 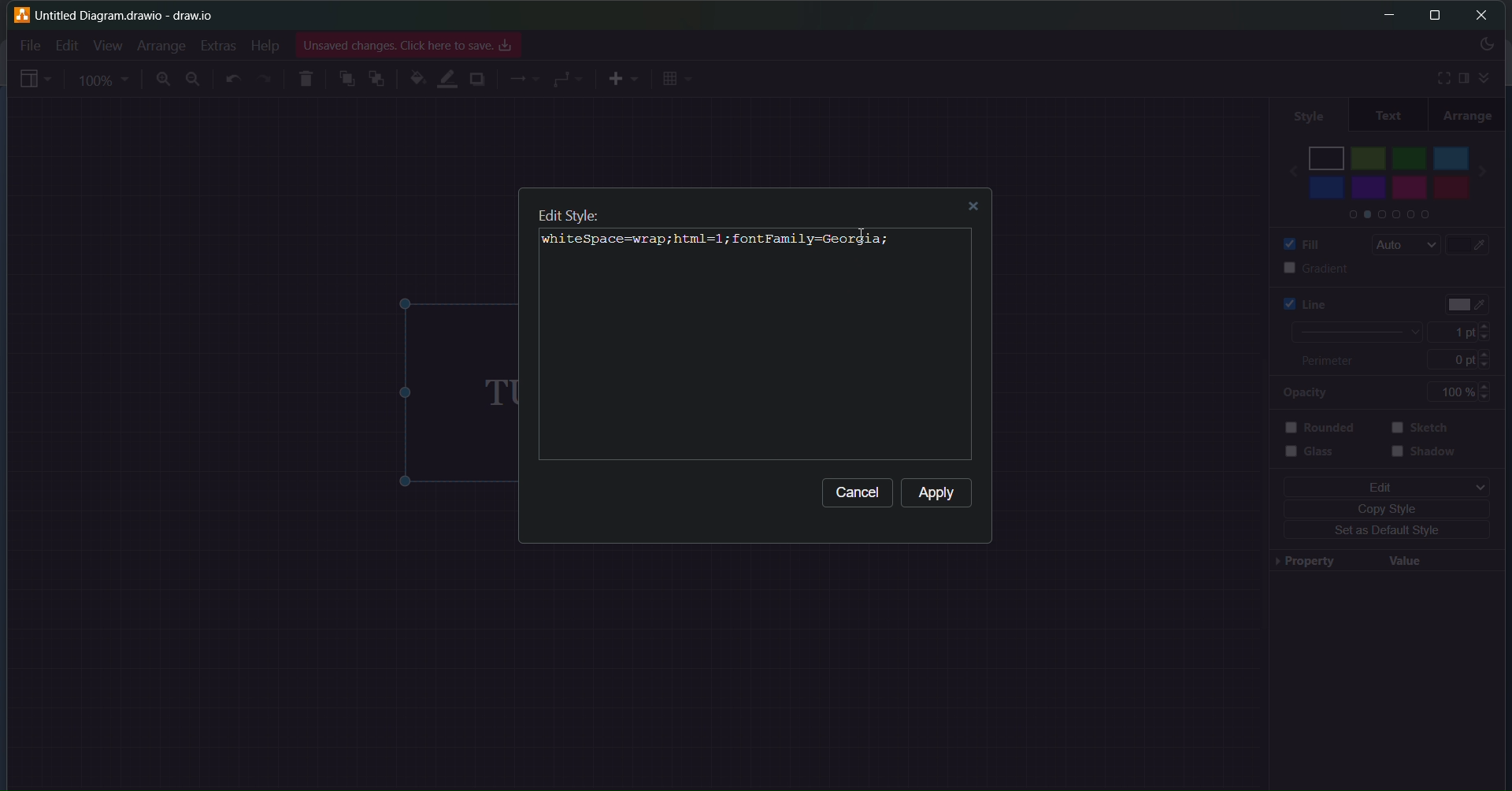 I want to click on logo, so click(x=20, y=14).